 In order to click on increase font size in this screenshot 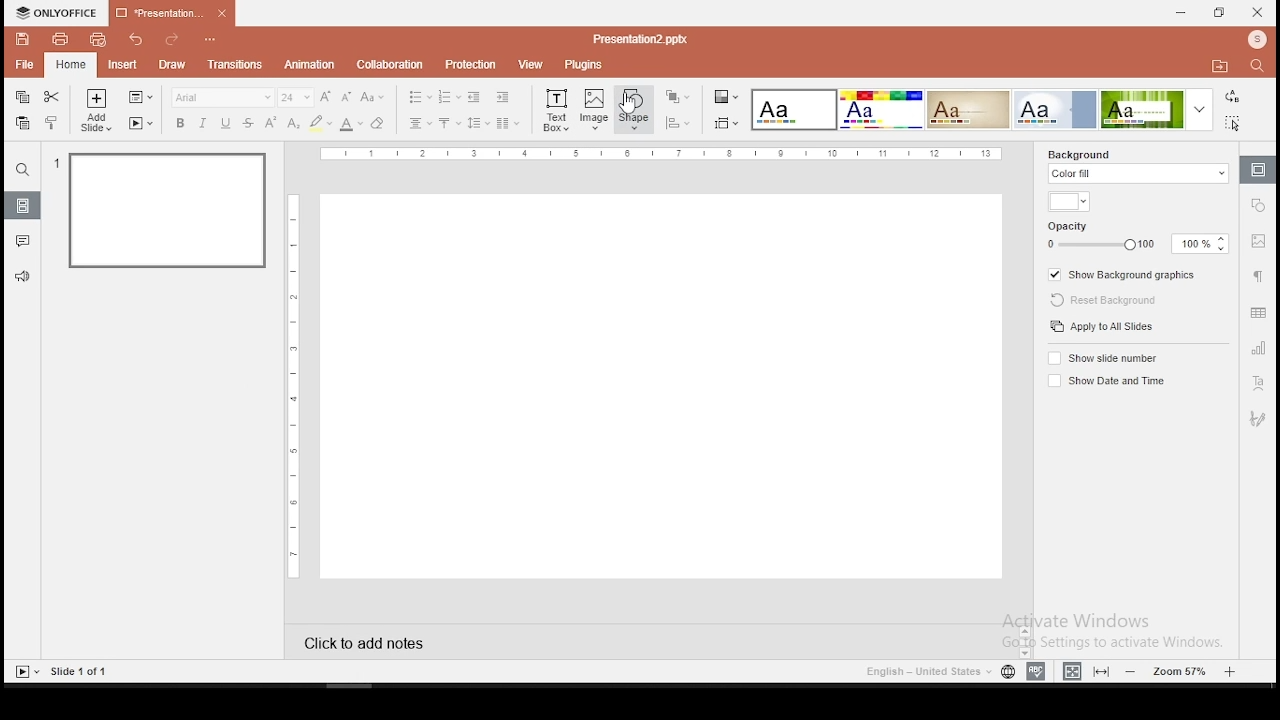, I will do `click(328, 98)`.